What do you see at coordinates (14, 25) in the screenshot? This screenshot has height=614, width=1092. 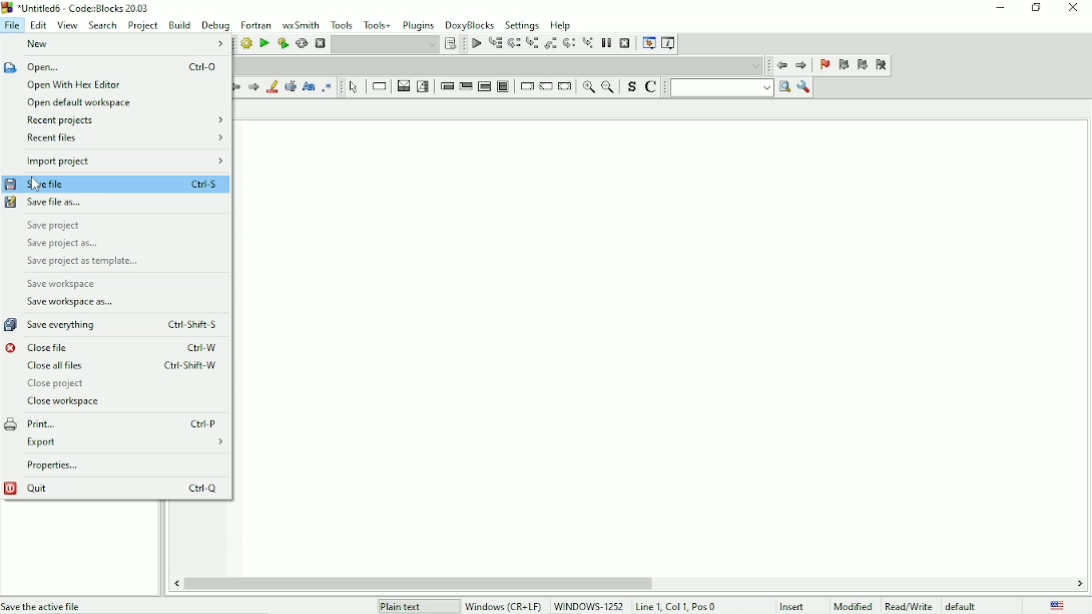 I see `File` at bounding box center [14, 25].